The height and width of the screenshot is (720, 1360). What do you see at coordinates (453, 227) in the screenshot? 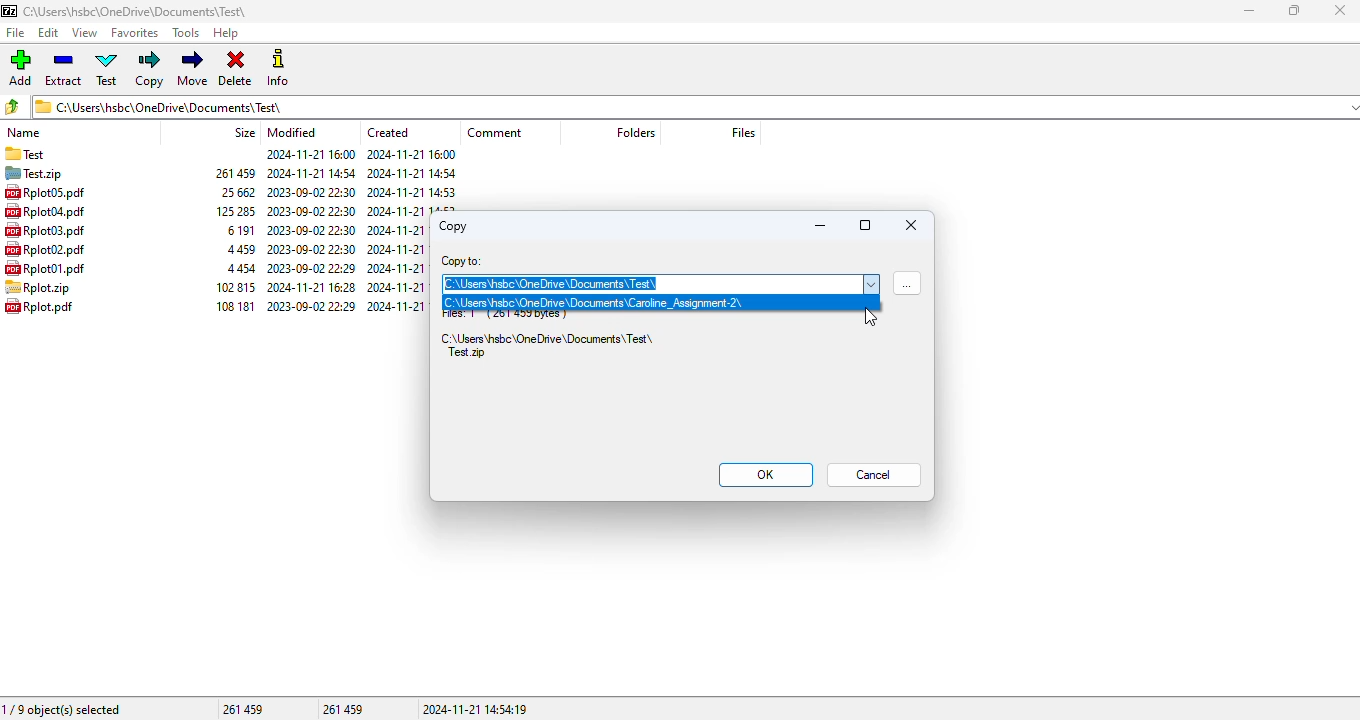
I see `copy` at bounding box center [453, 227].